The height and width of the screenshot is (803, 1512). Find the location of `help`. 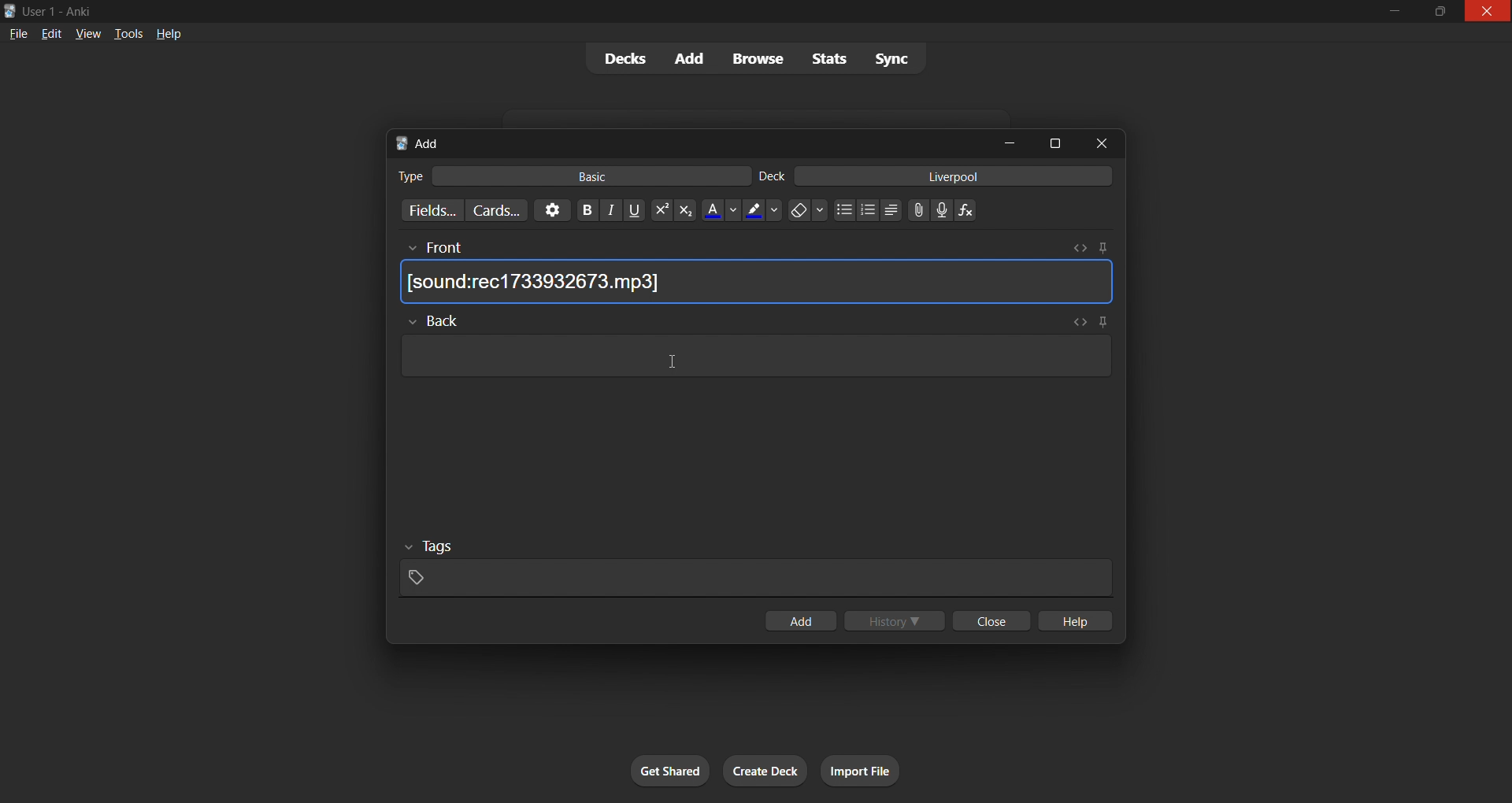

help is located at coordinates (1080, 620).